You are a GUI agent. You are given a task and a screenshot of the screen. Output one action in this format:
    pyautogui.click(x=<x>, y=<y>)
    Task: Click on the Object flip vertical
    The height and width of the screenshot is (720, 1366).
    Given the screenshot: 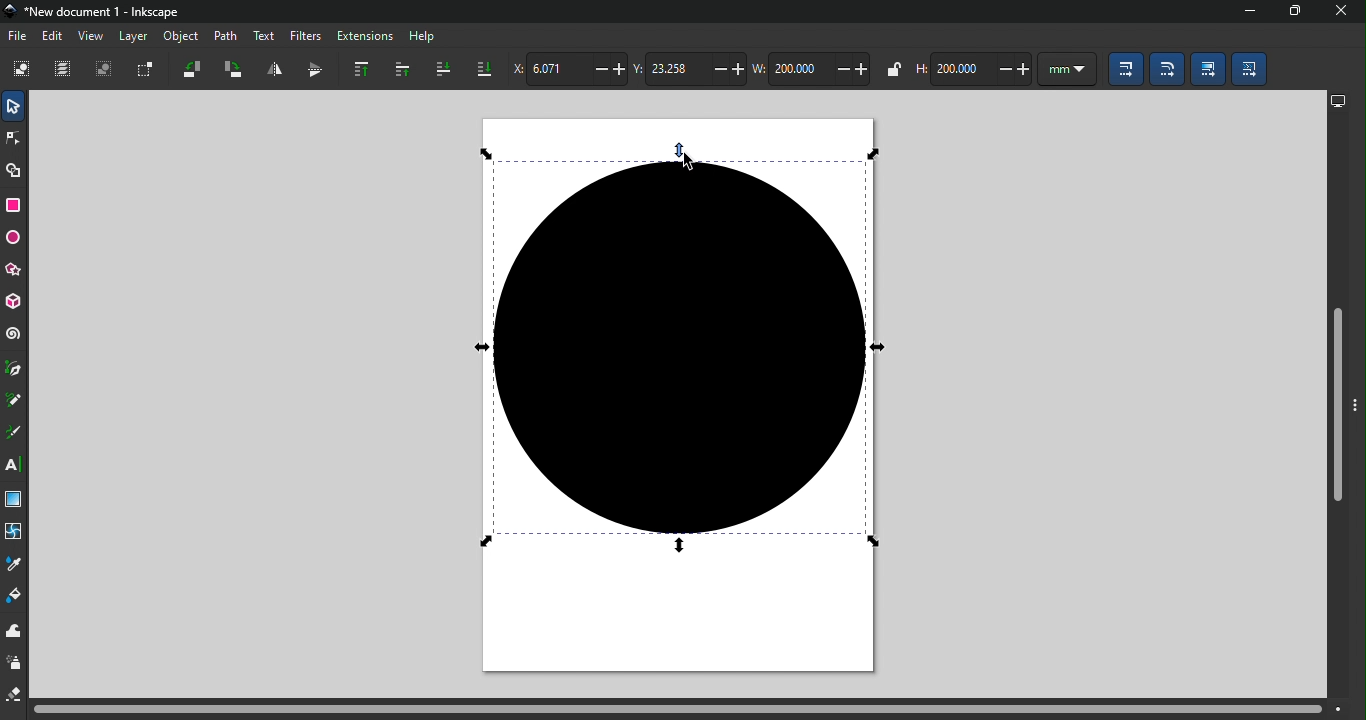 What is the action you would take?
    pyautogui.click(x=313, y=71)
    